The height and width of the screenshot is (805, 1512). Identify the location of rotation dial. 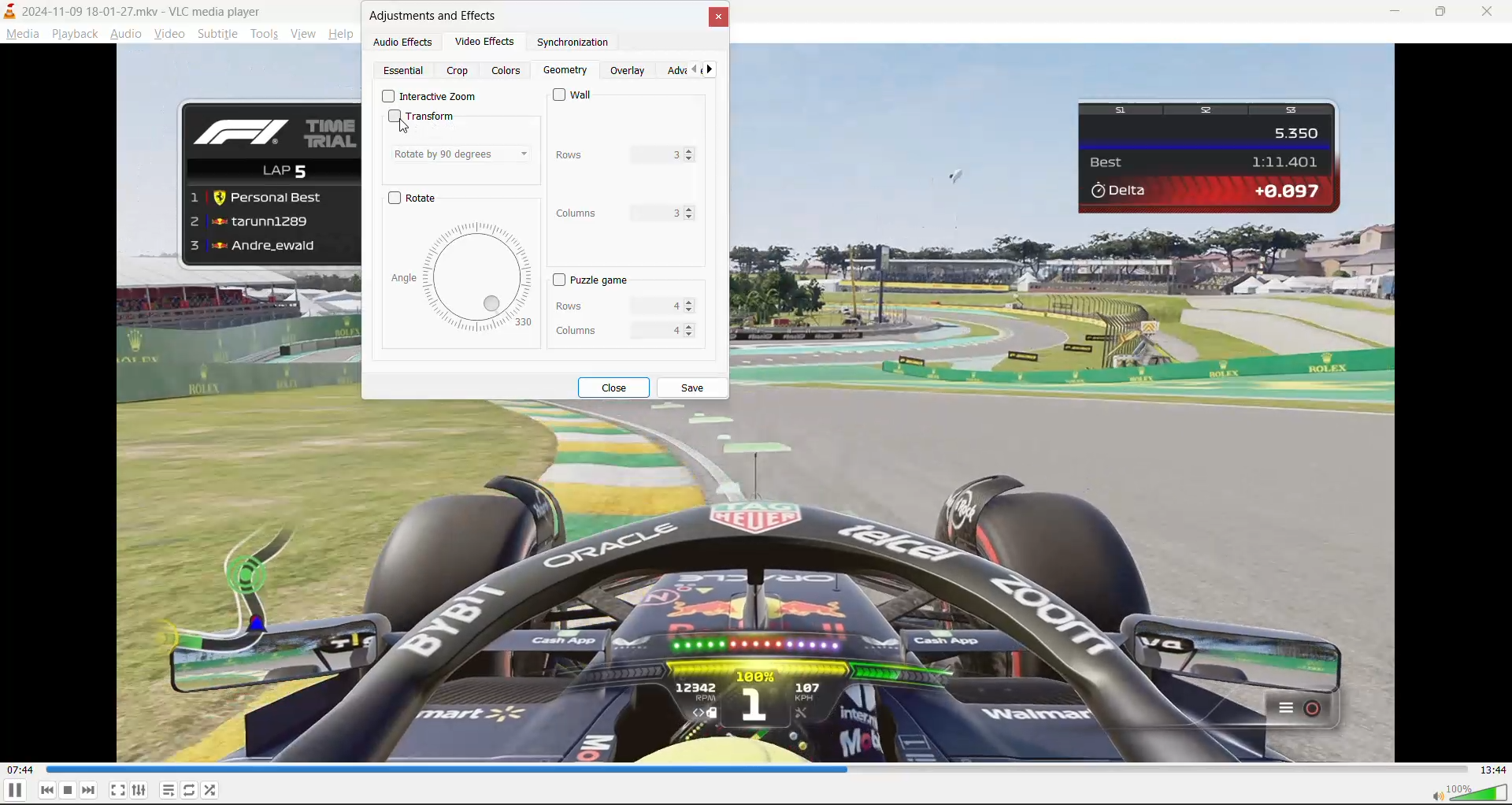
(465, 277).